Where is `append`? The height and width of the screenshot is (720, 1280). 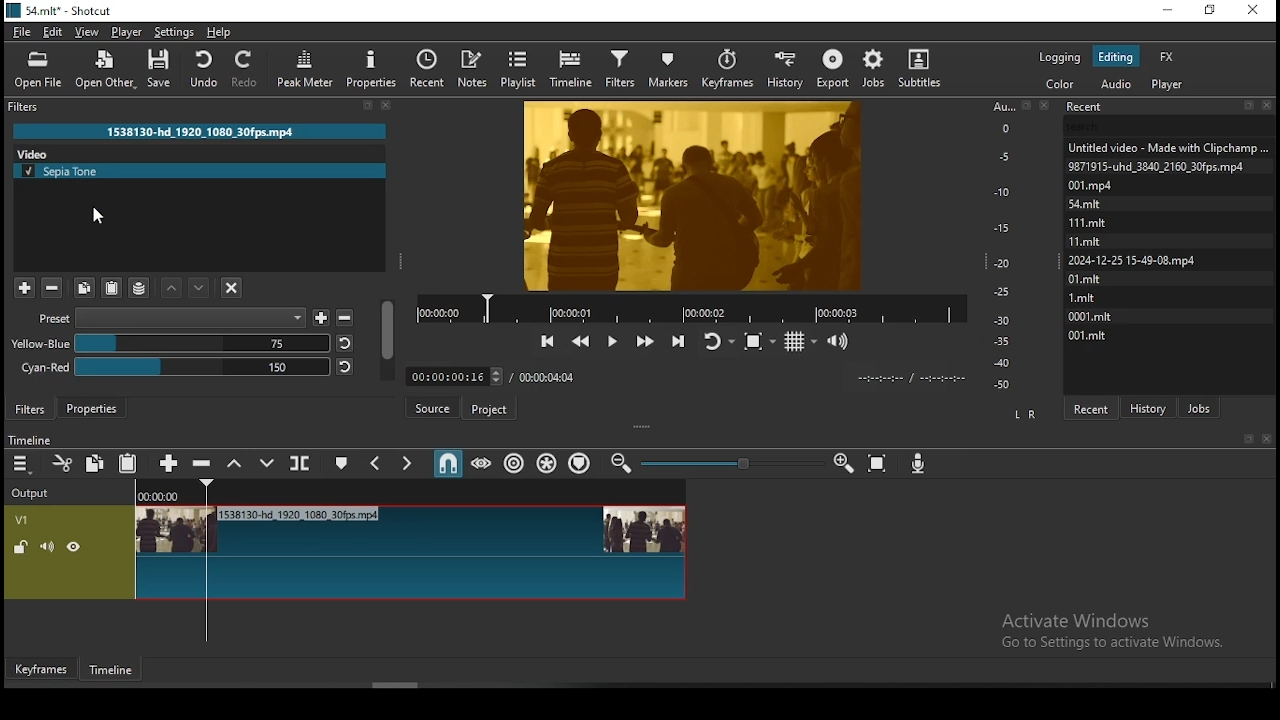
append is located at coordinates (166, 461).